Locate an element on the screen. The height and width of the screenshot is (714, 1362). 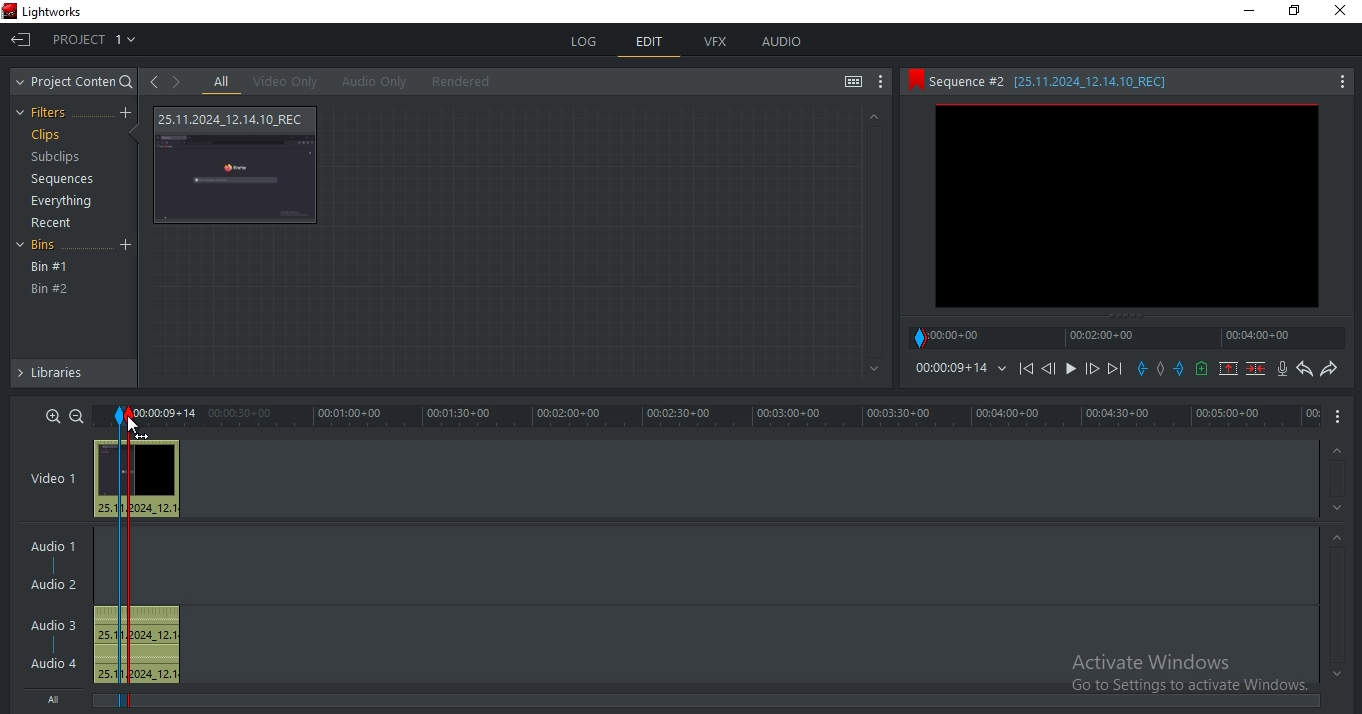
vfx is located at coordinates (717, 42).